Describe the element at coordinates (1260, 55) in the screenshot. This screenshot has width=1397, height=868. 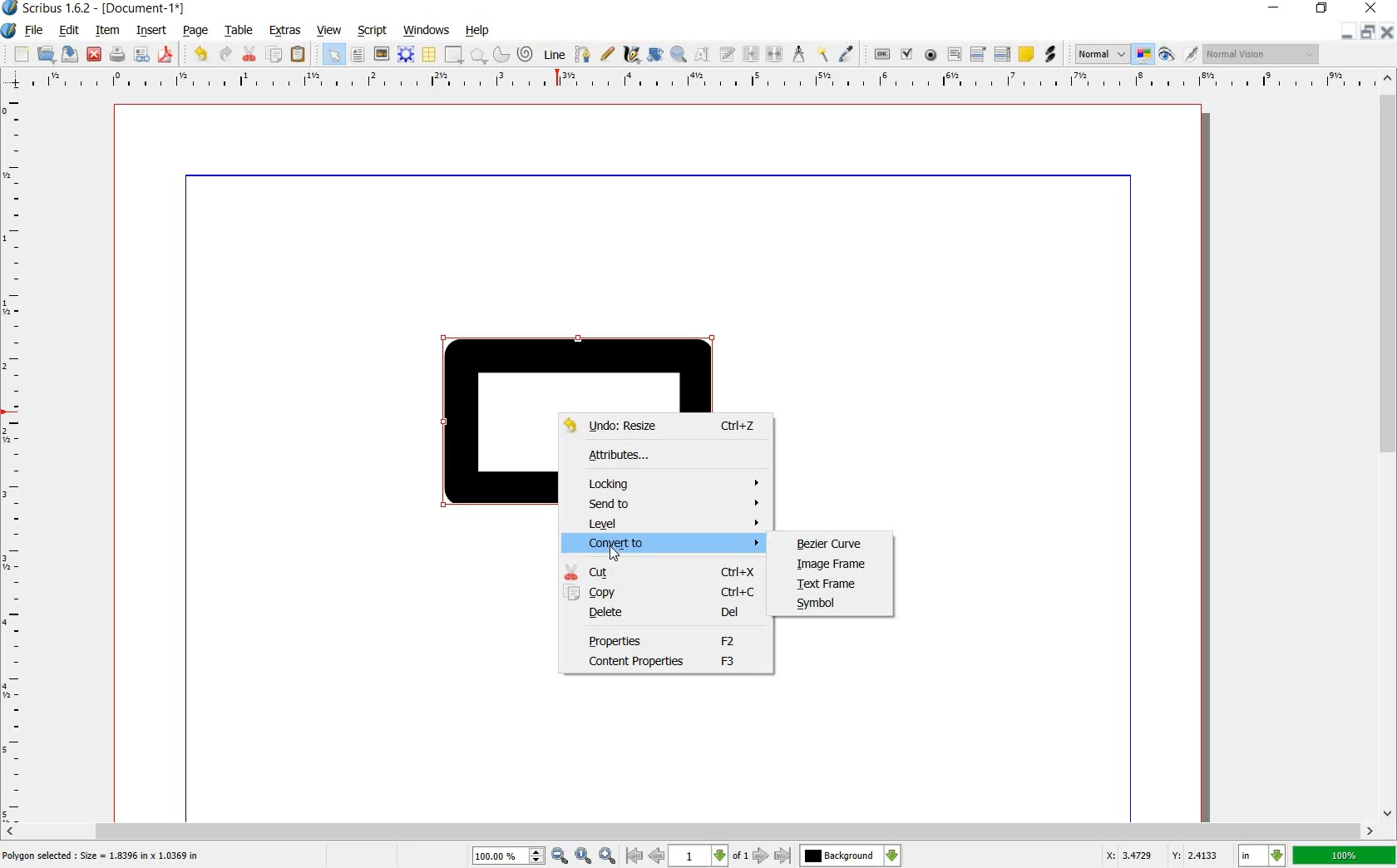
I see `visual appearance of the display` at that location.